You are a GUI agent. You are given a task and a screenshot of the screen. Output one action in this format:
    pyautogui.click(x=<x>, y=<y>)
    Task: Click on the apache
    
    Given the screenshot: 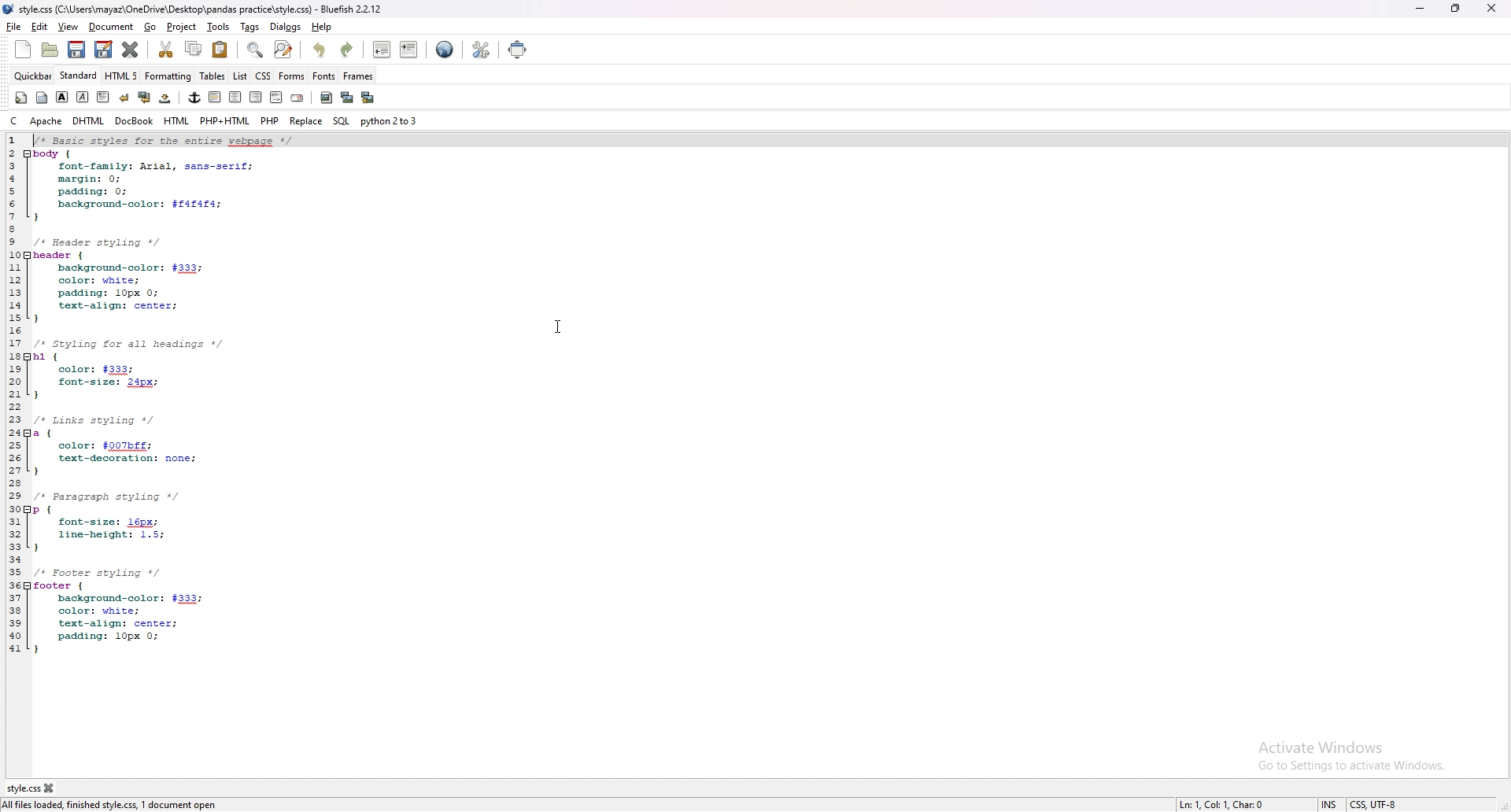 What is the action you would take?
    pyautogui.click(x=47, y=121)
    